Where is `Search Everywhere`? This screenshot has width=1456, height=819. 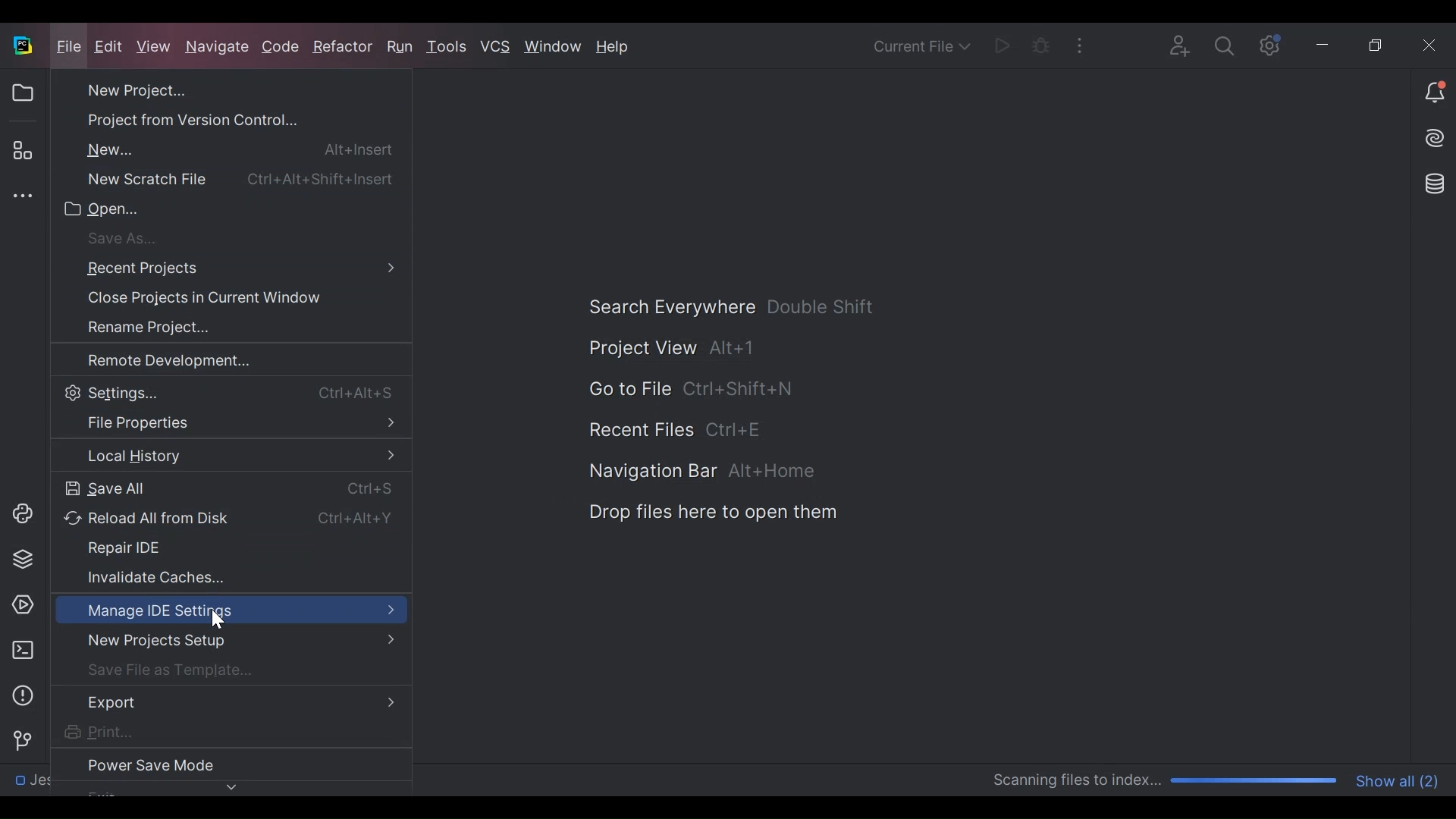 Search Everywhere is located at coordinates (732, 307).